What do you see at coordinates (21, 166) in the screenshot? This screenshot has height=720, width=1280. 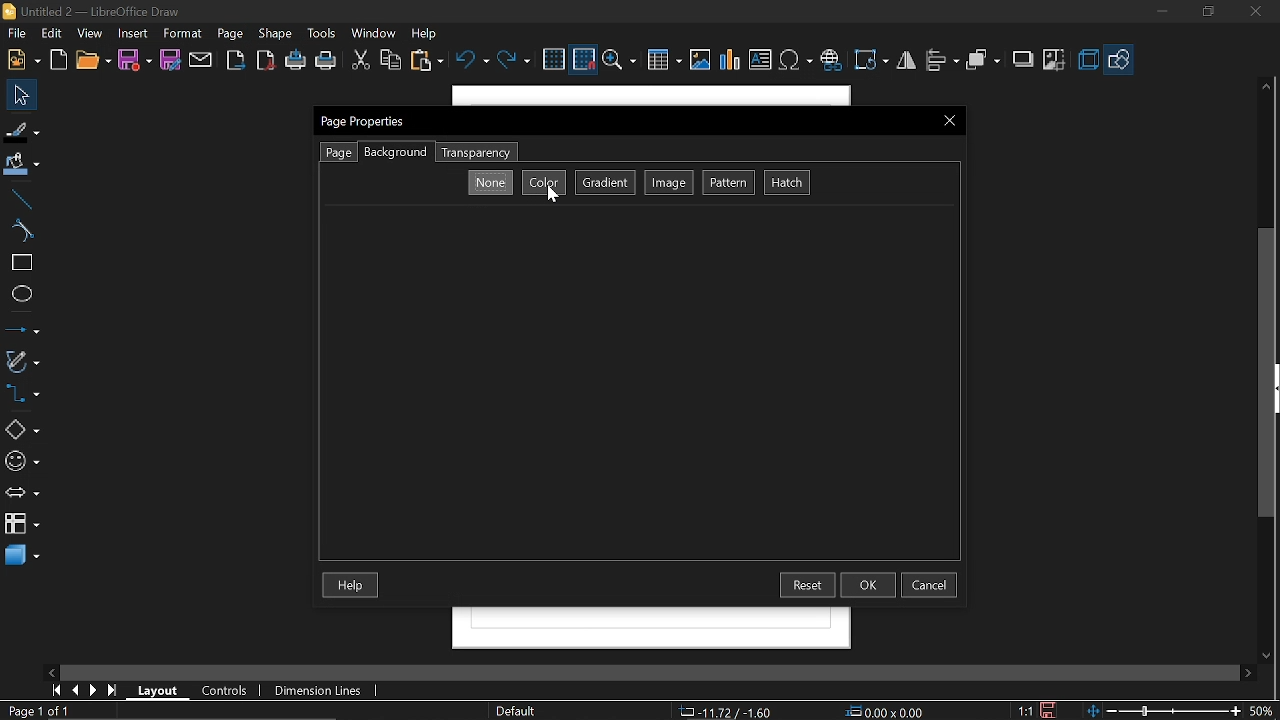 I see `Fill color` at bounding box center [21, 166].